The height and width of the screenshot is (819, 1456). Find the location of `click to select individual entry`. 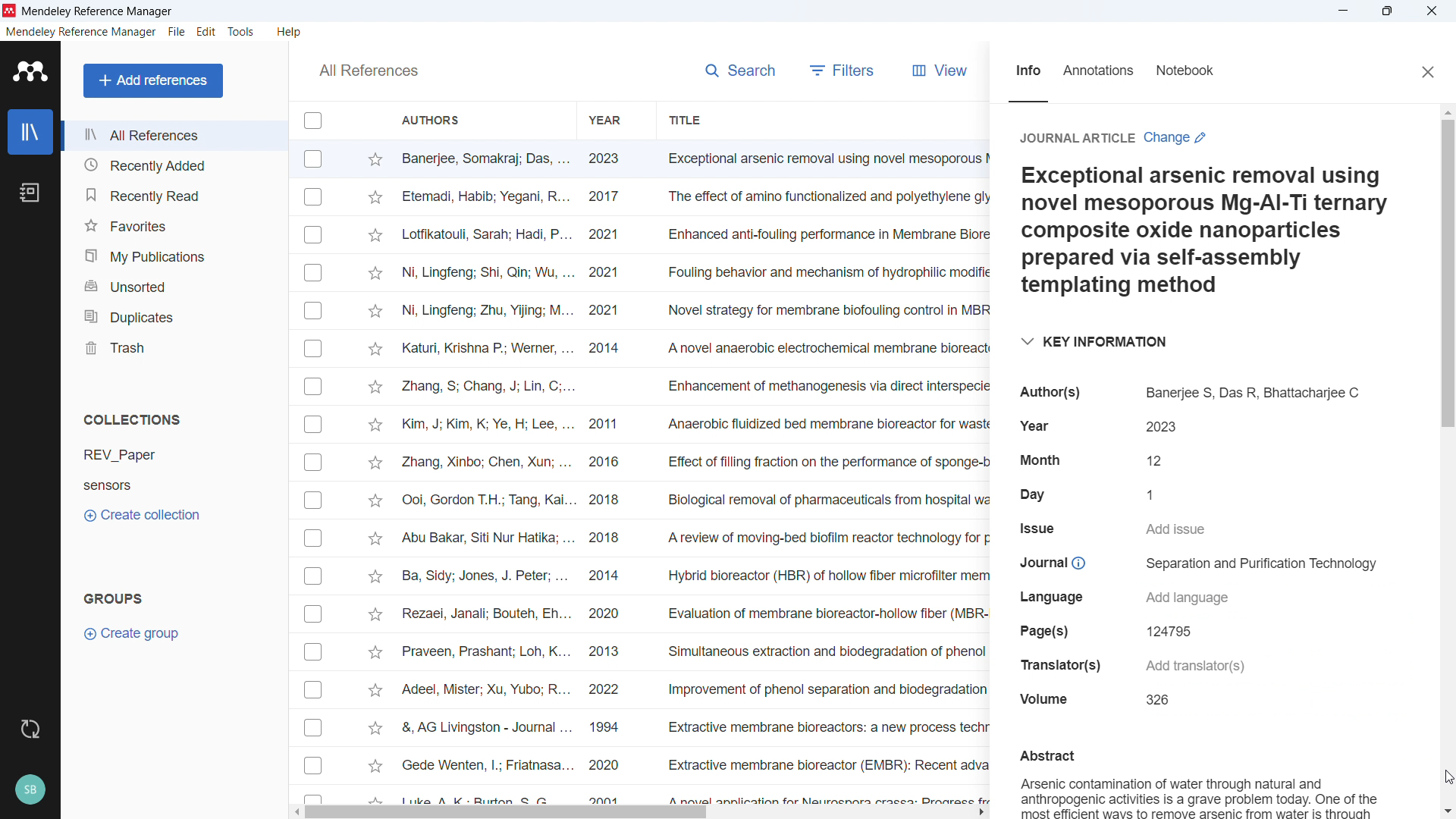

click to select individual entry is located at coordinates (312, 654).